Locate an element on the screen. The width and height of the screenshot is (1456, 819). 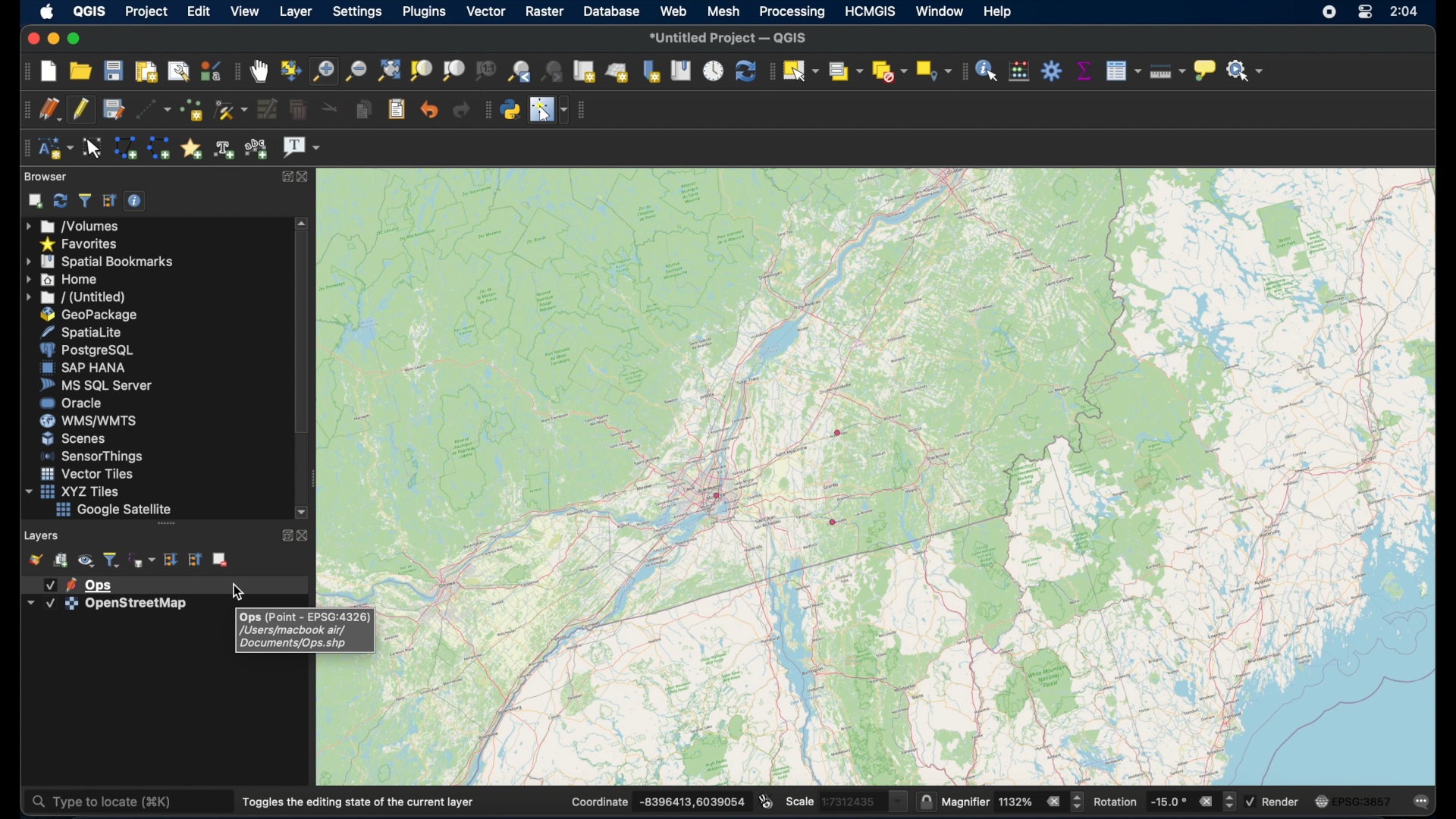
current cos is located at coordinates (1354, 801).